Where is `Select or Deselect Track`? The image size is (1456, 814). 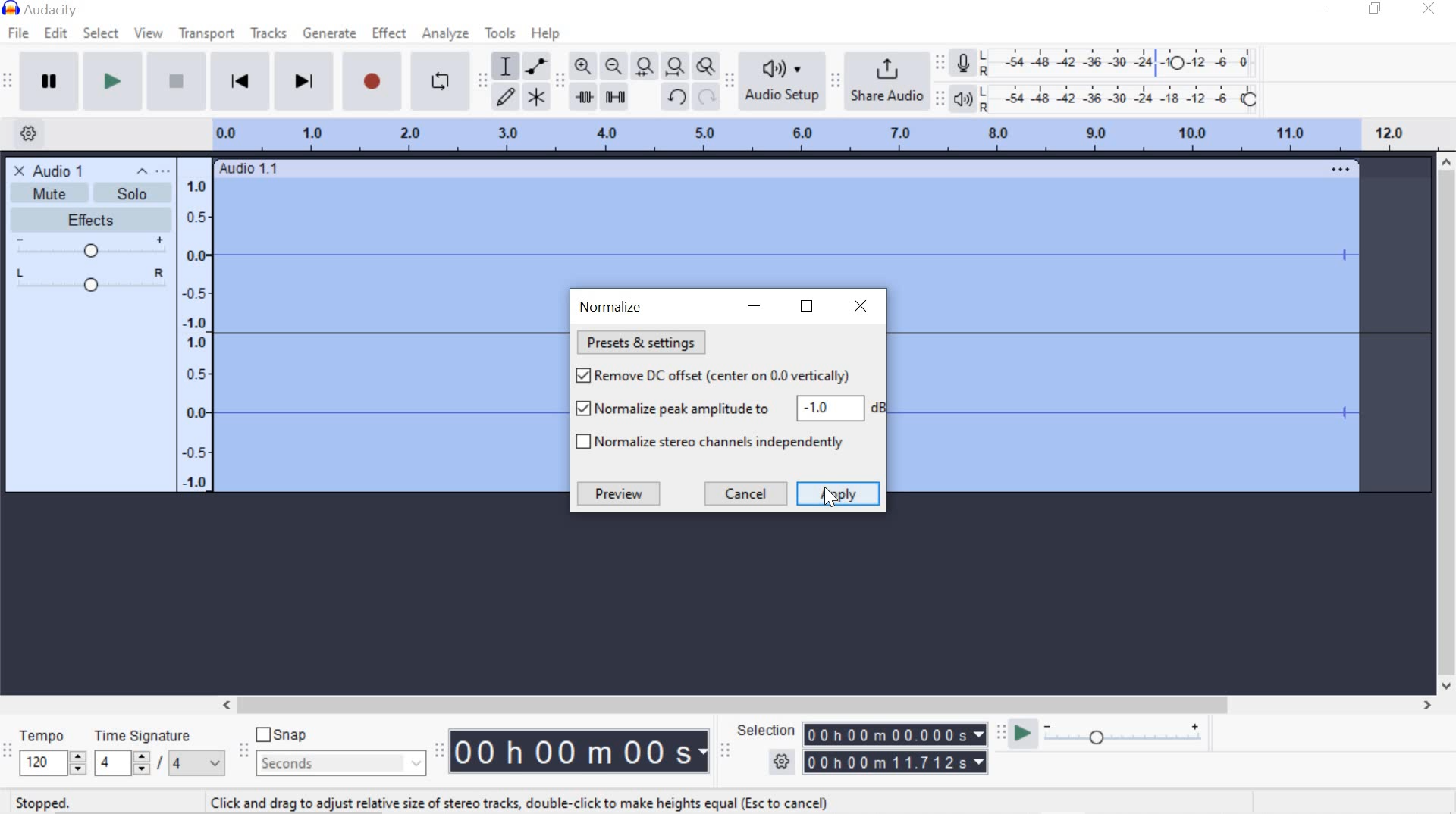
Select or Deselect Track is located at coordinates (90, 397).